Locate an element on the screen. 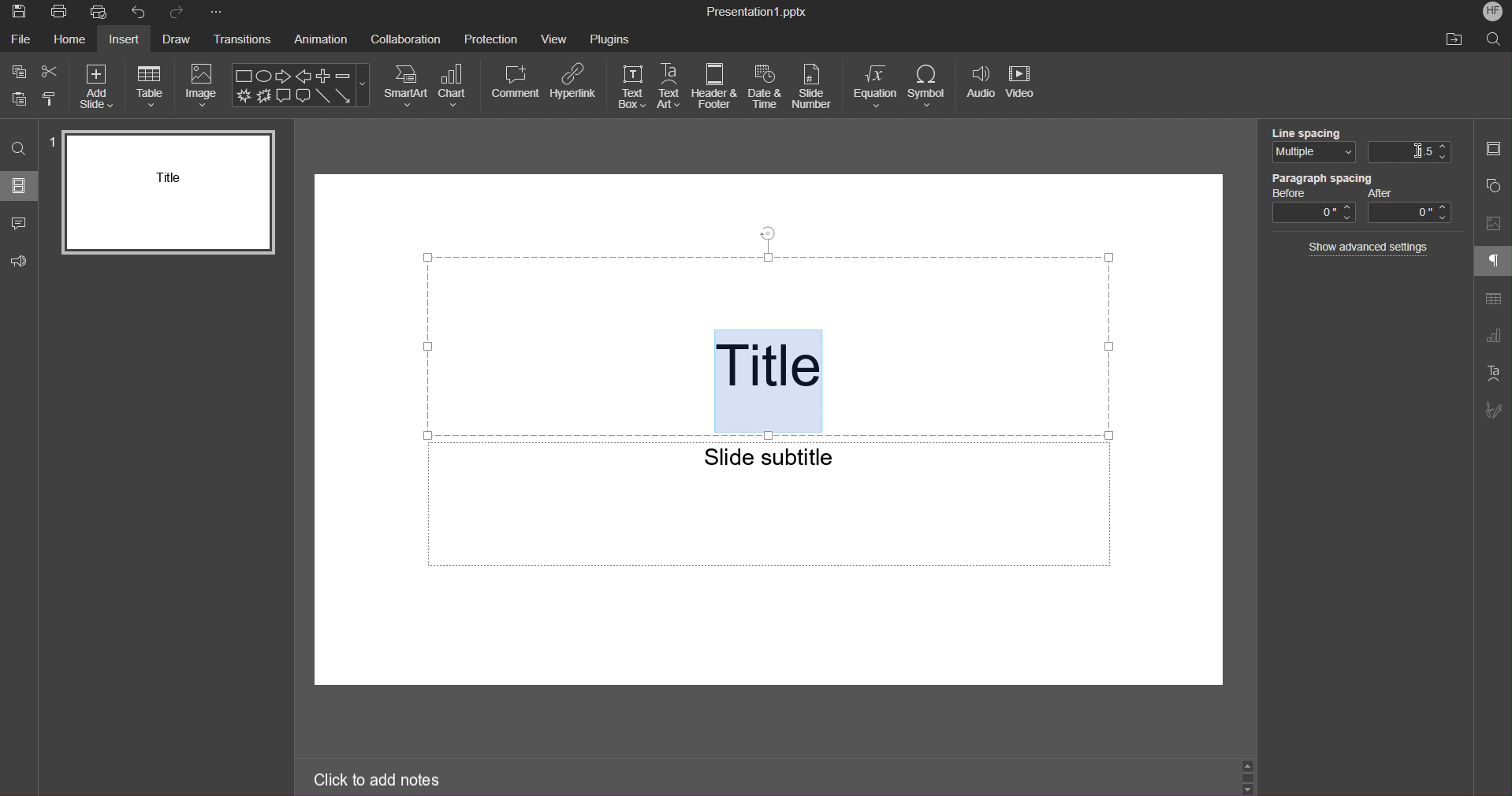 The width and height of the screenshot is (1512, 796). Comment is located at coordinates (515, 84).